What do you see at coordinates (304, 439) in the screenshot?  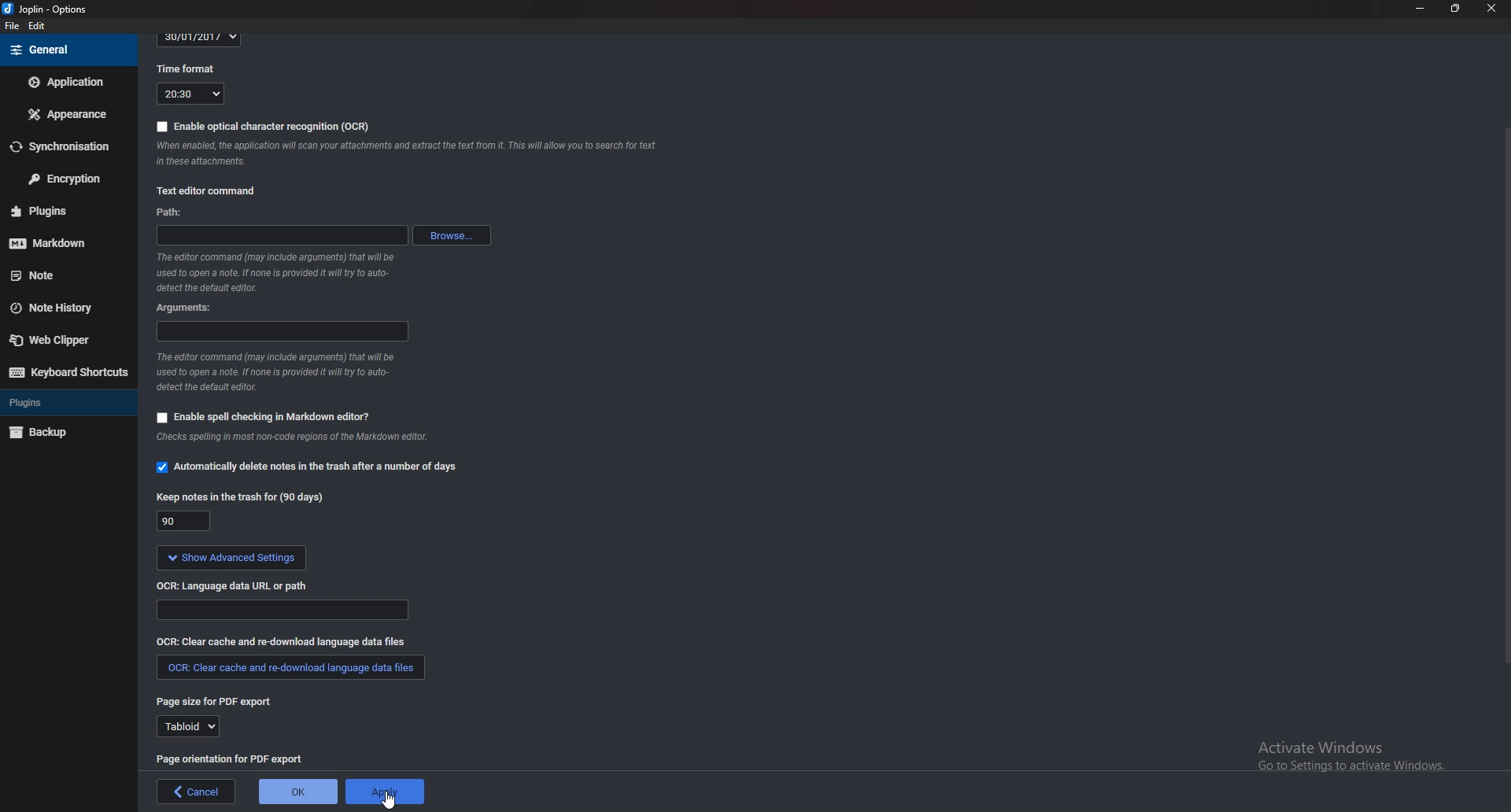 I see `Info` at bounding box center [304, 439].